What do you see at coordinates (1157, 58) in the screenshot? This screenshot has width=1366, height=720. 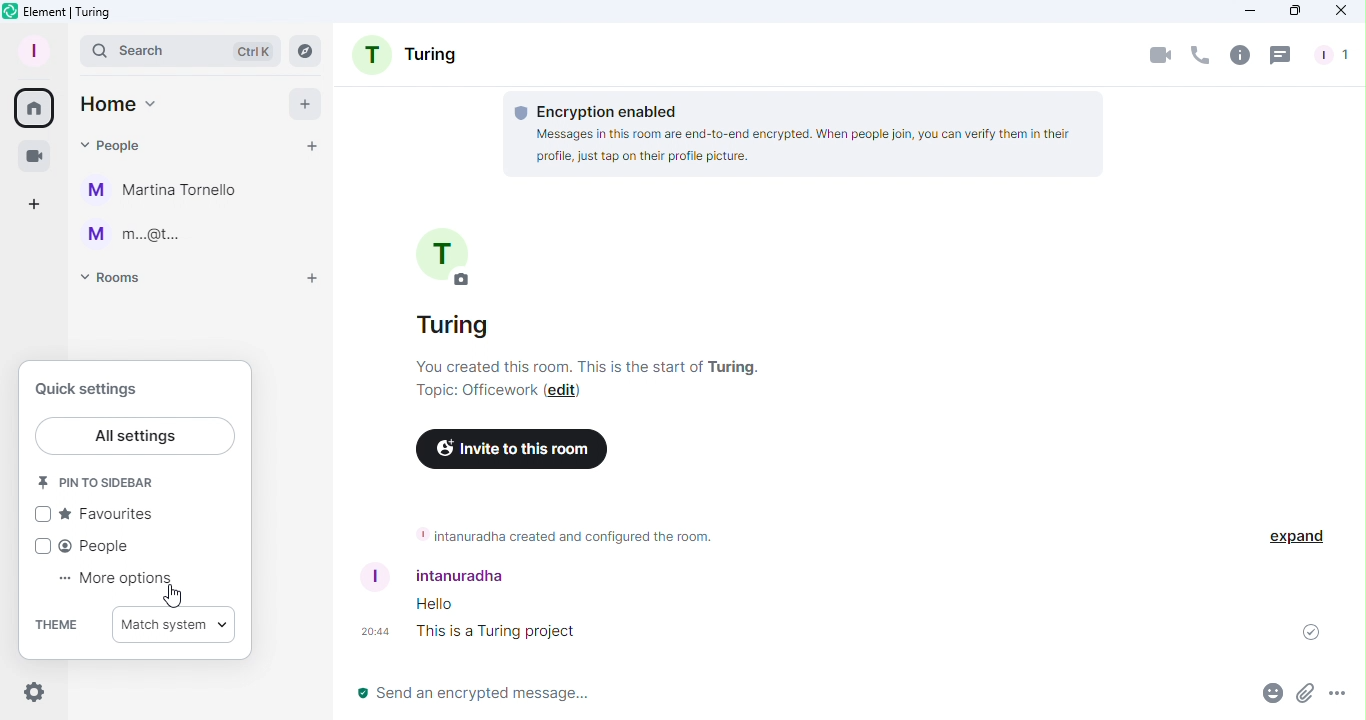 I see `Video call` at bounding box center [1157, 58].